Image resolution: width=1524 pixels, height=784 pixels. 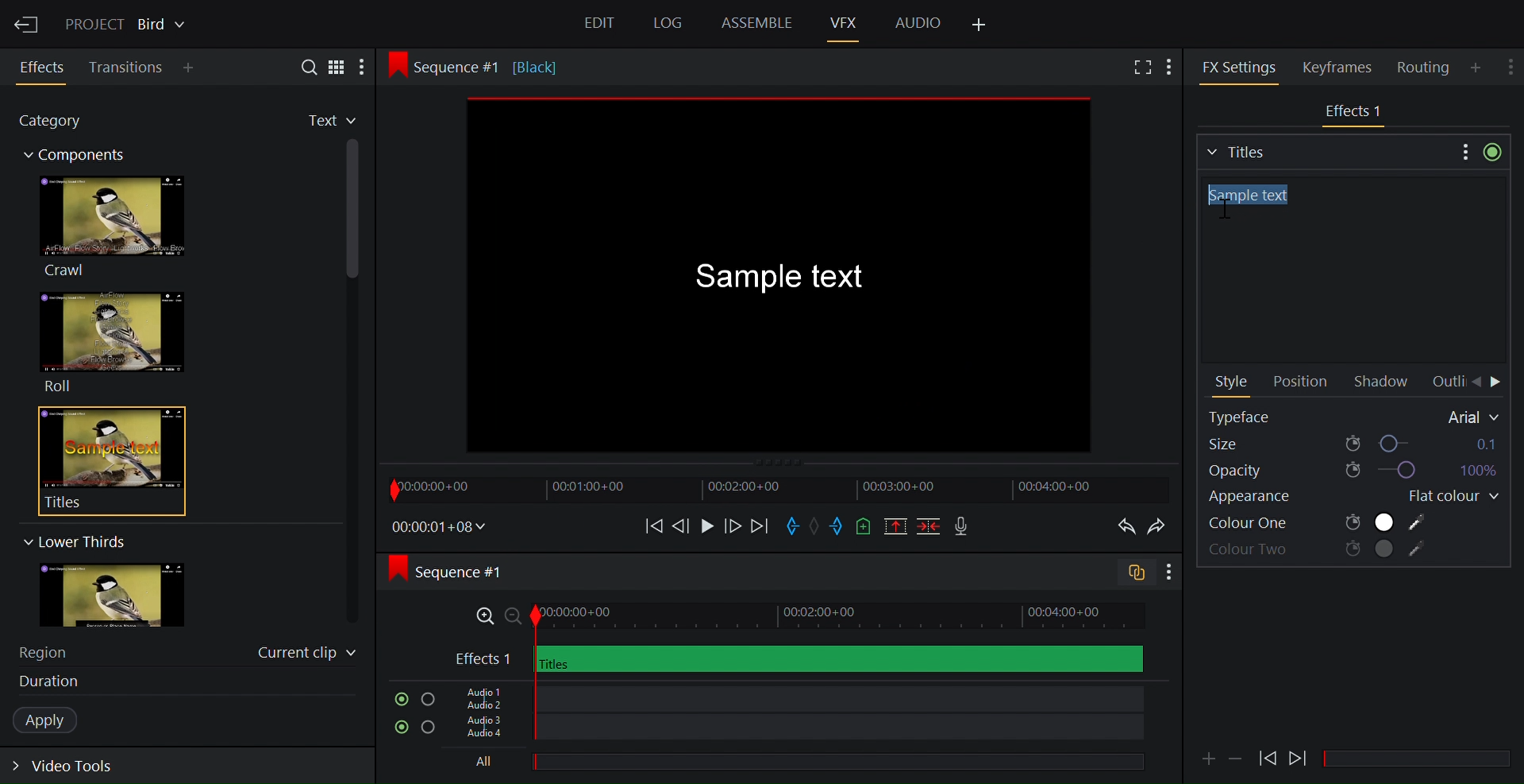 I want to click on Timecodes and reels, so click(x=440, y=527).